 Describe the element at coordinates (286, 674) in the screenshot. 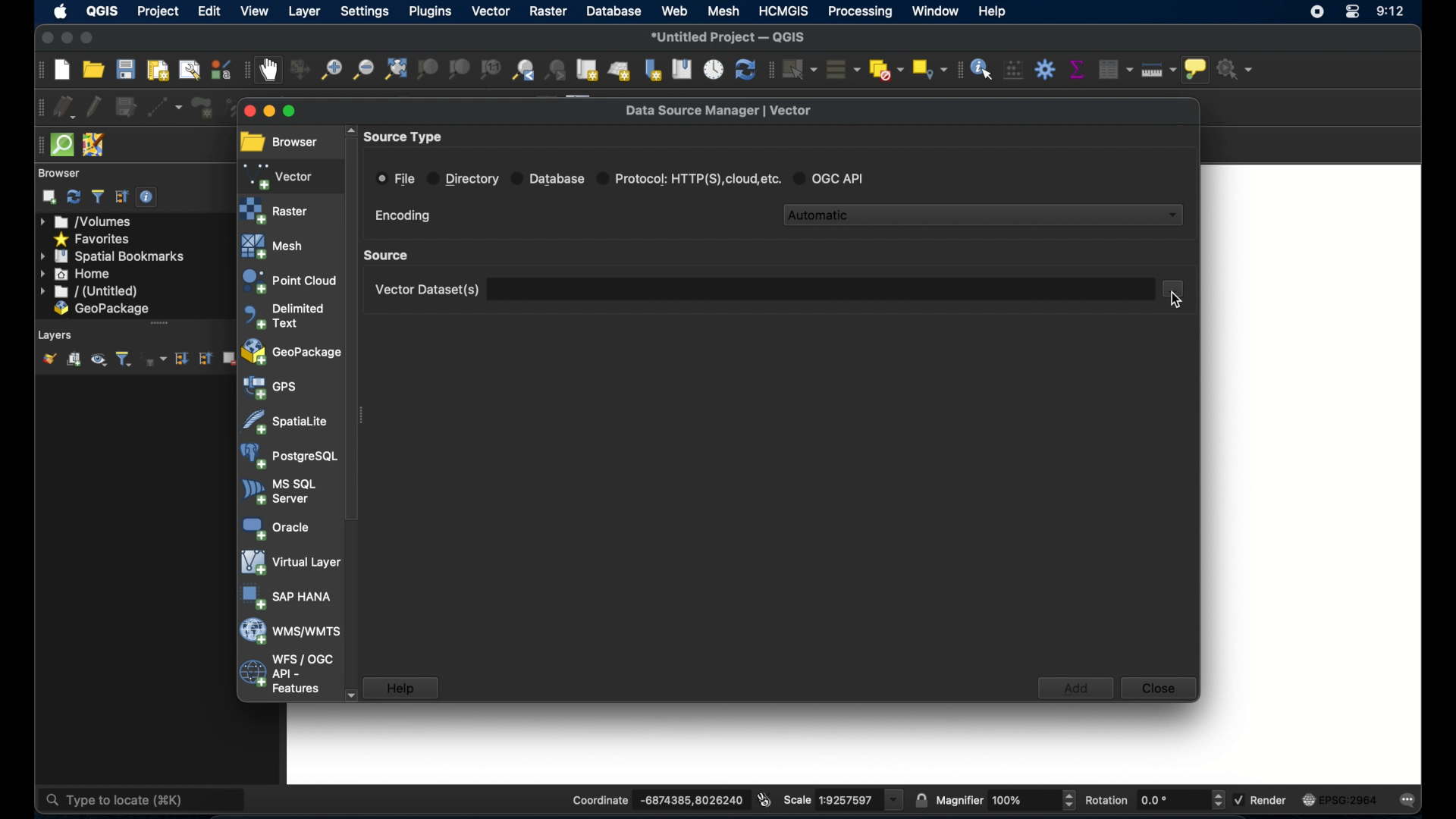

I see `wfs/ogc api - features` at that location.